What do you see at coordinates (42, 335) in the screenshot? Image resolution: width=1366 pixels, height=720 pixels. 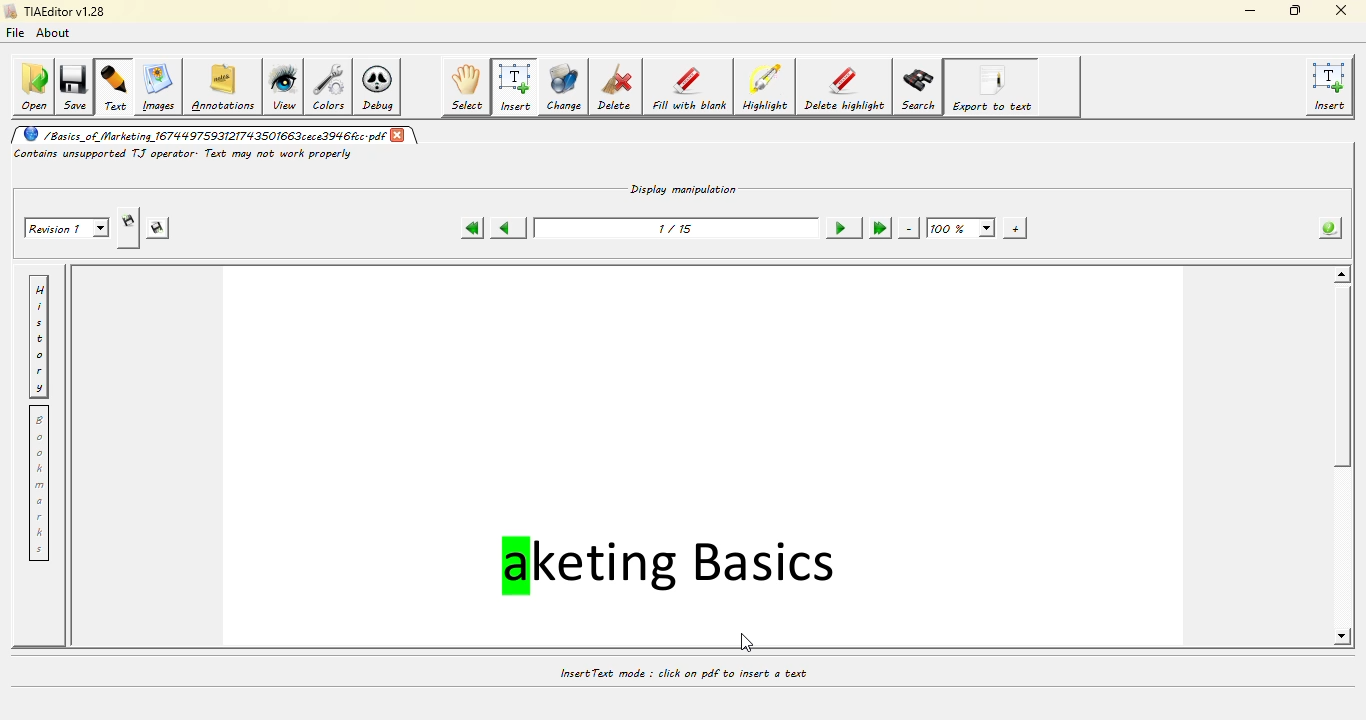 I see `history` at bounding box center [42, 335].